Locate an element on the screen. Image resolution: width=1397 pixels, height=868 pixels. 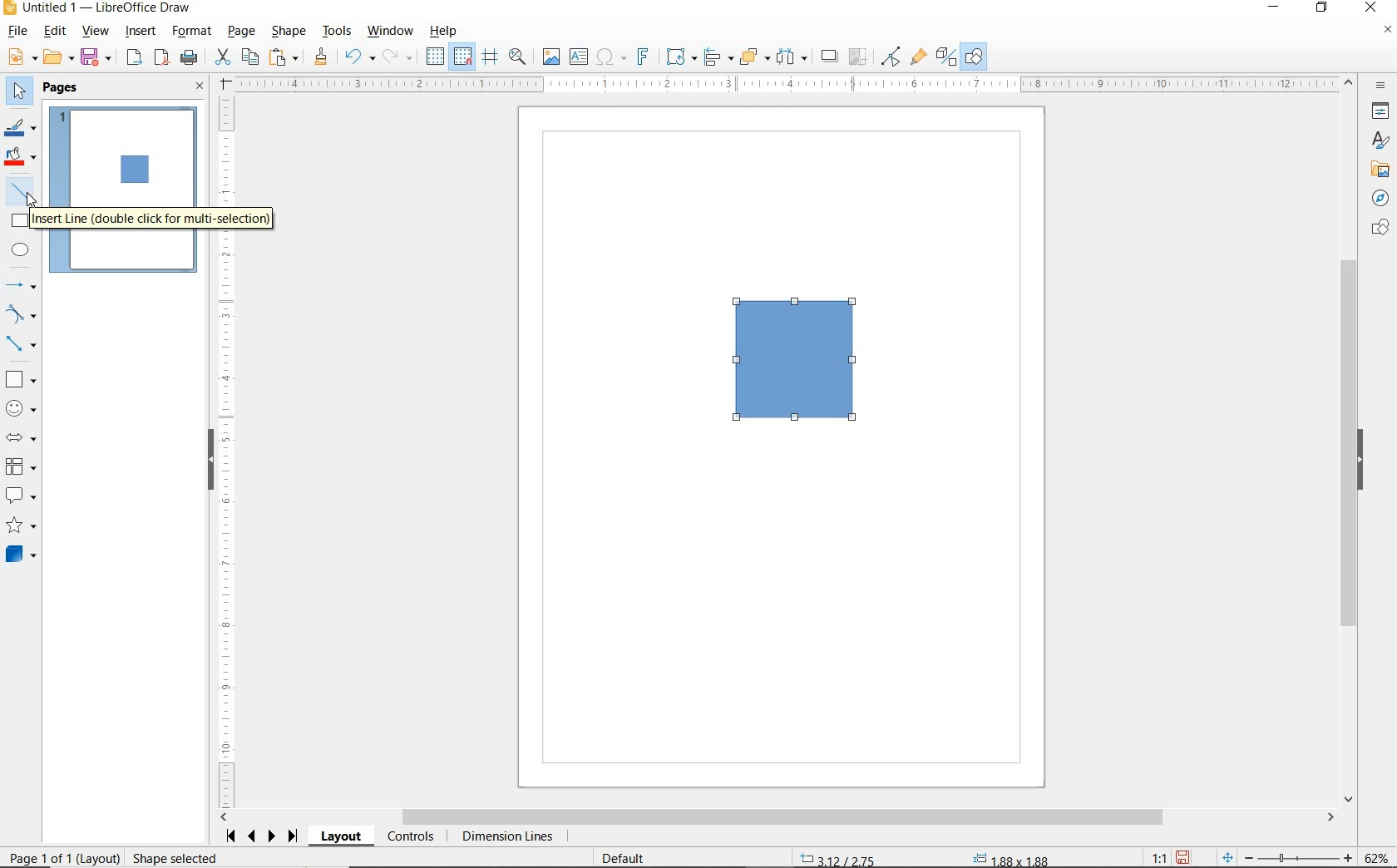
BASIC SHAPES is located at coordinates (19, 377).